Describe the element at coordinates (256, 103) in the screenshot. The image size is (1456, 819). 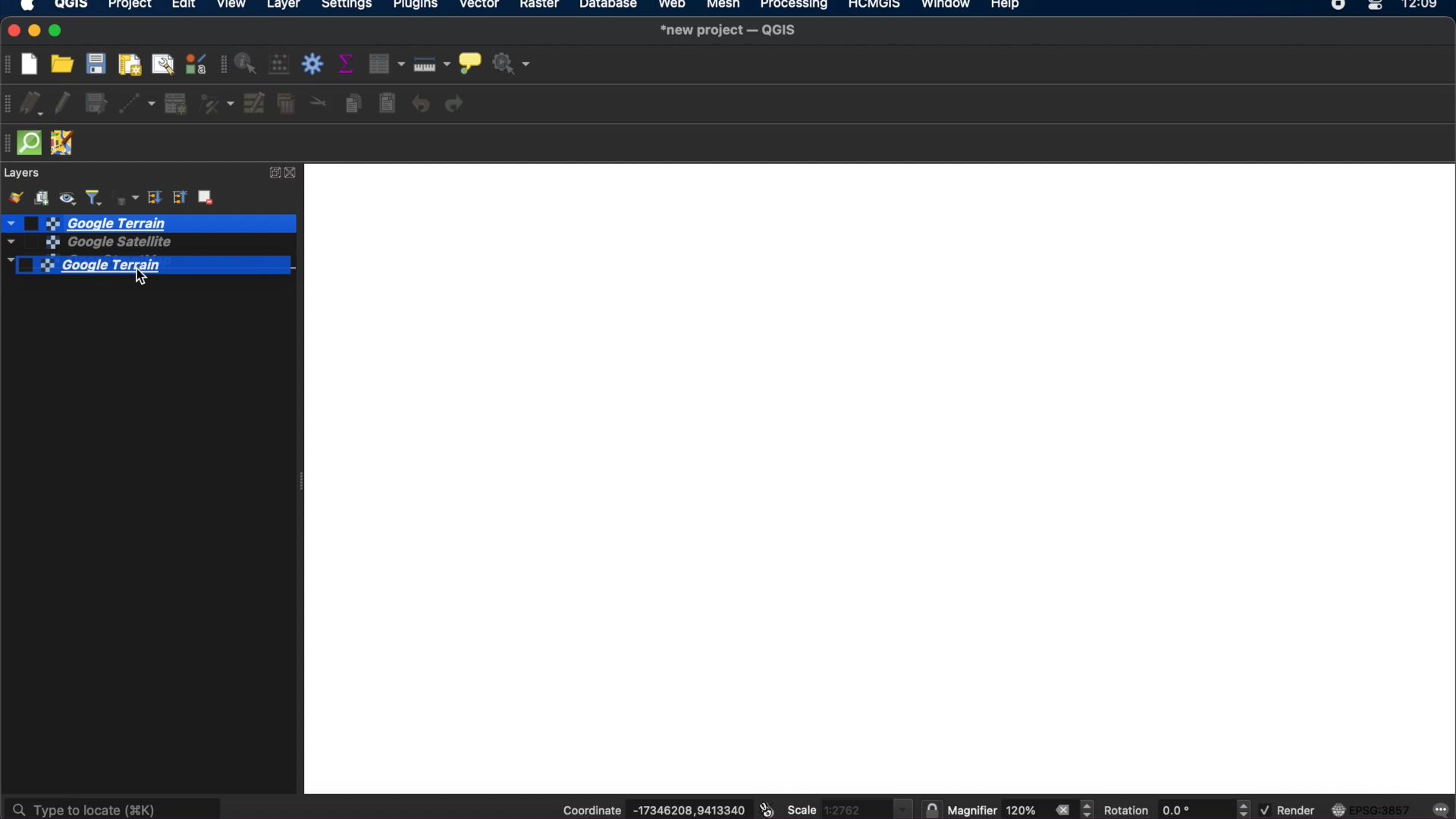
I see `modify` at that location.